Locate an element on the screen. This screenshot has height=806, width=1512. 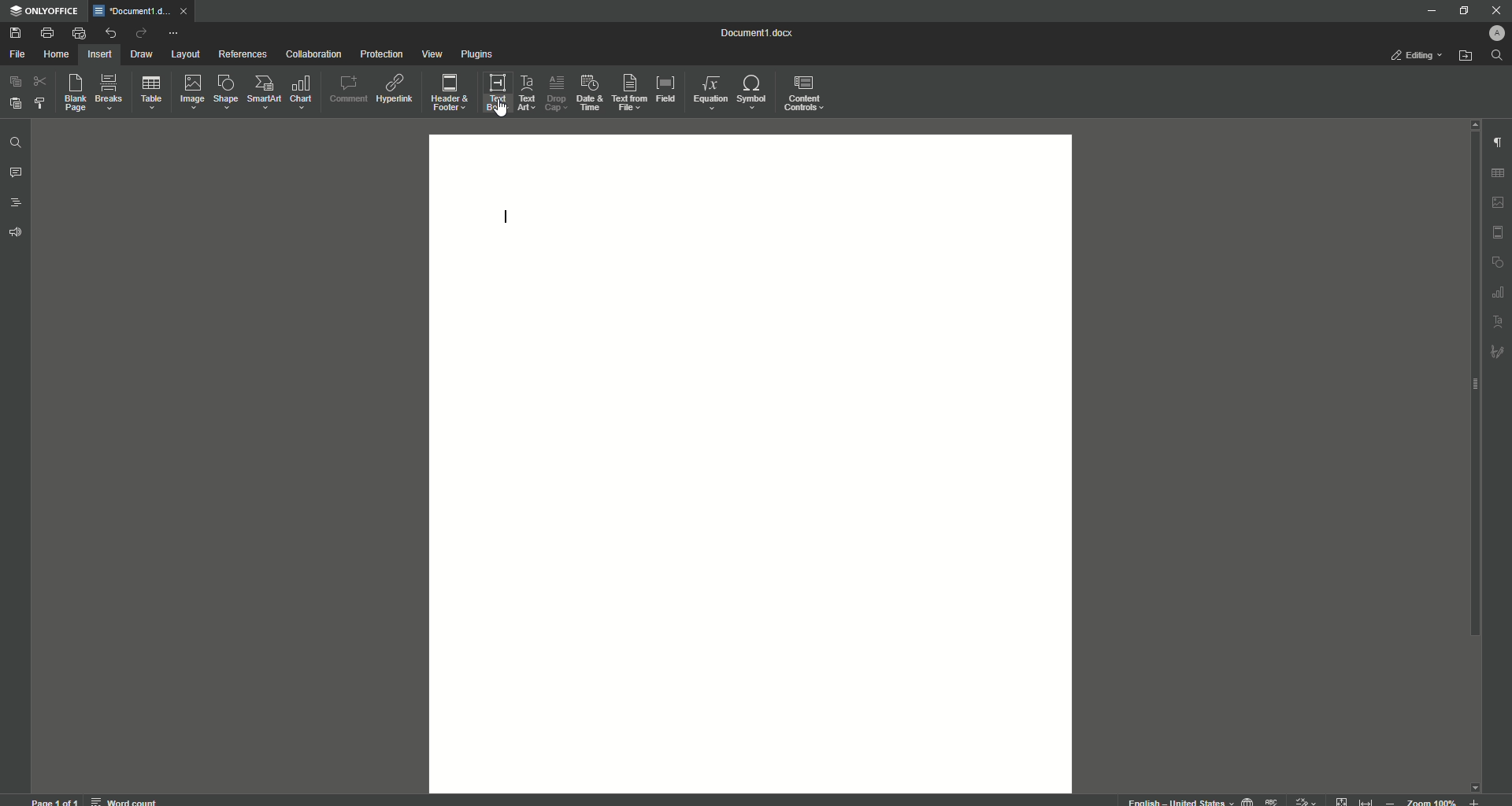
Date and Time is located at coordinates (589, 93).